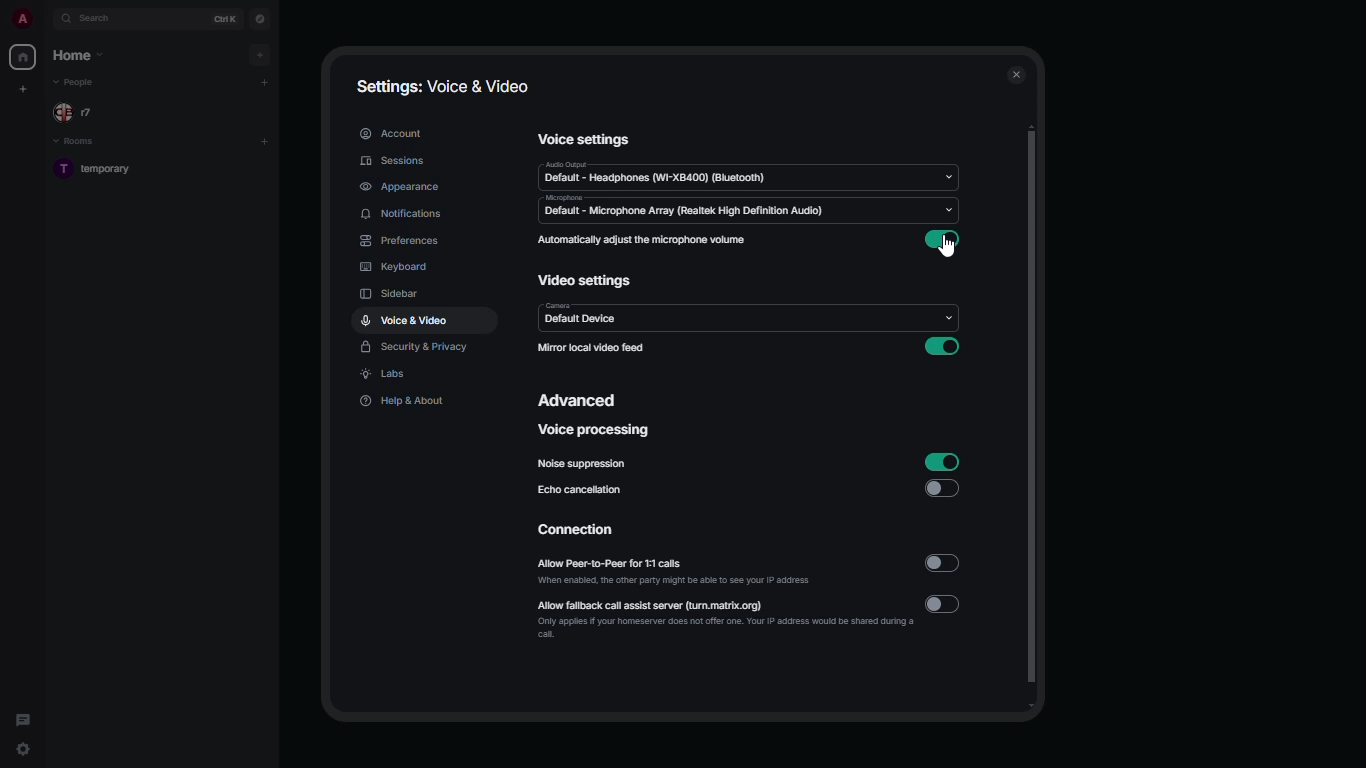 The height and width of the screenshot is (768, 1366). Describe the element at coordinates (595, 430) in the screenshot. I see `voice processing` at that location.